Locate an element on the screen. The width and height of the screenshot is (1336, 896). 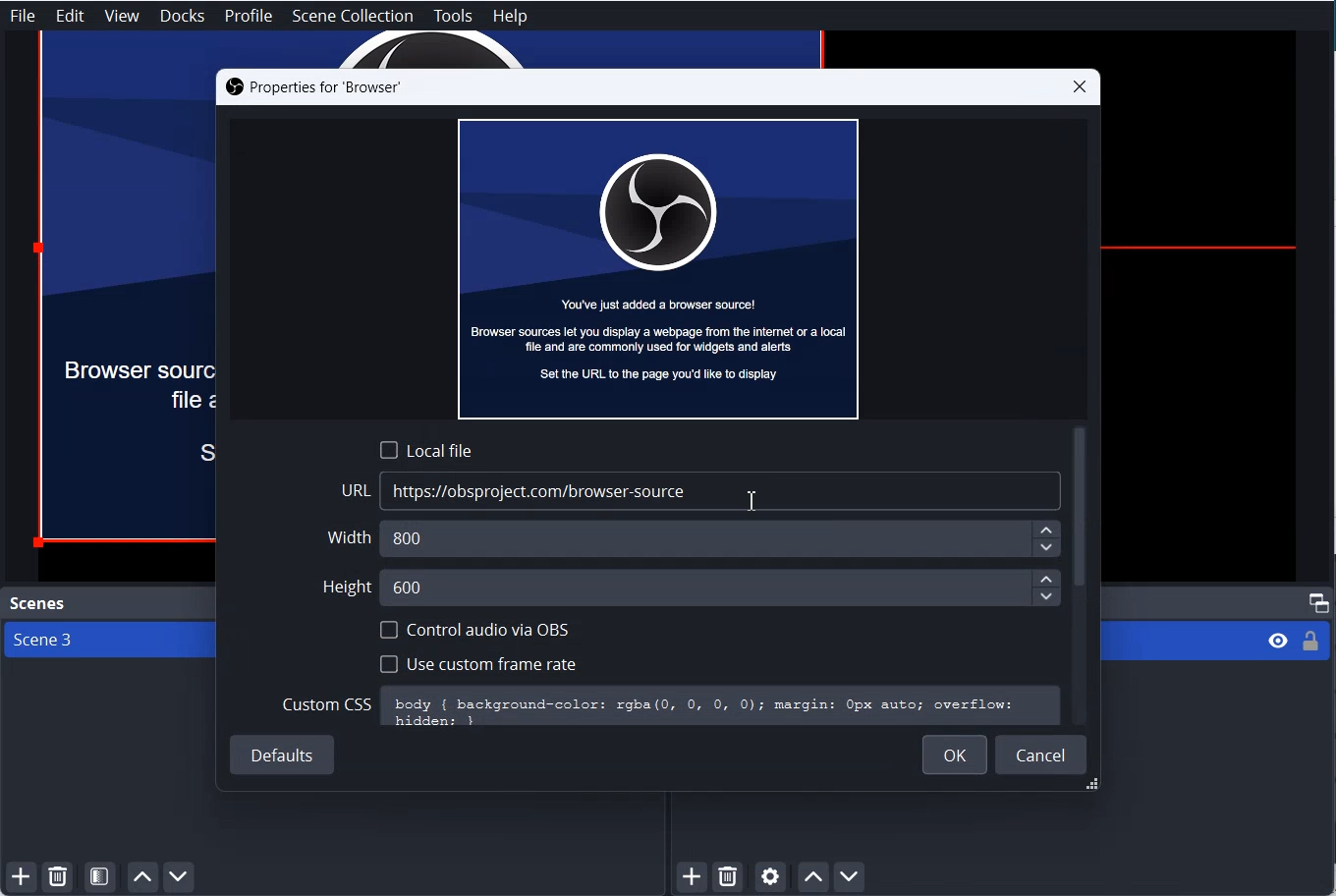
Help is located at coordinates (510, 17).